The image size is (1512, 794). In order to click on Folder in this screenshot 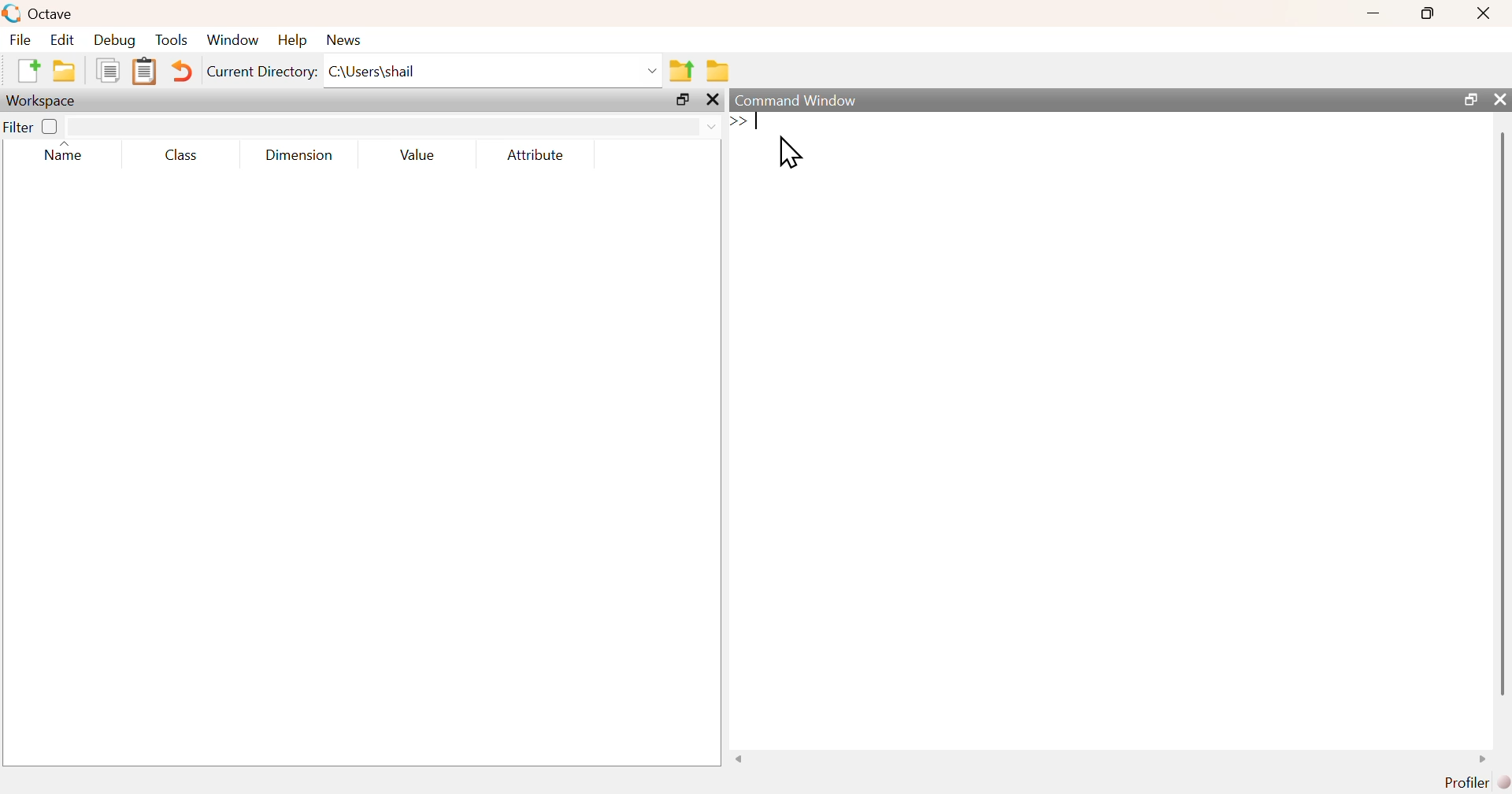, I will do `click(718, 71)`.